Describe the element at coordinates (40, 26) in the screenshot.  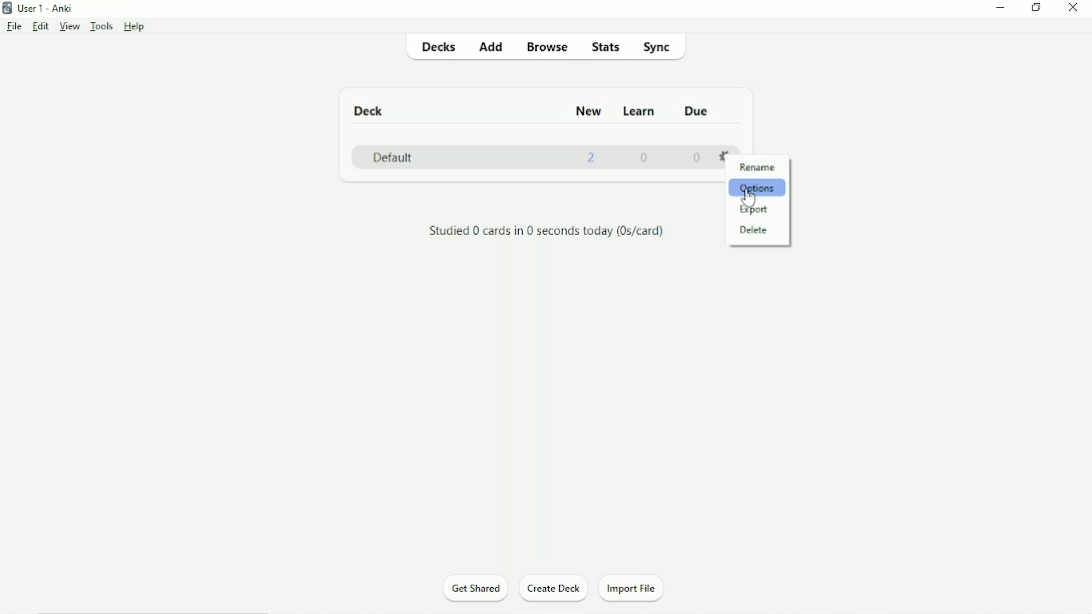
I see `Edit` at that location.